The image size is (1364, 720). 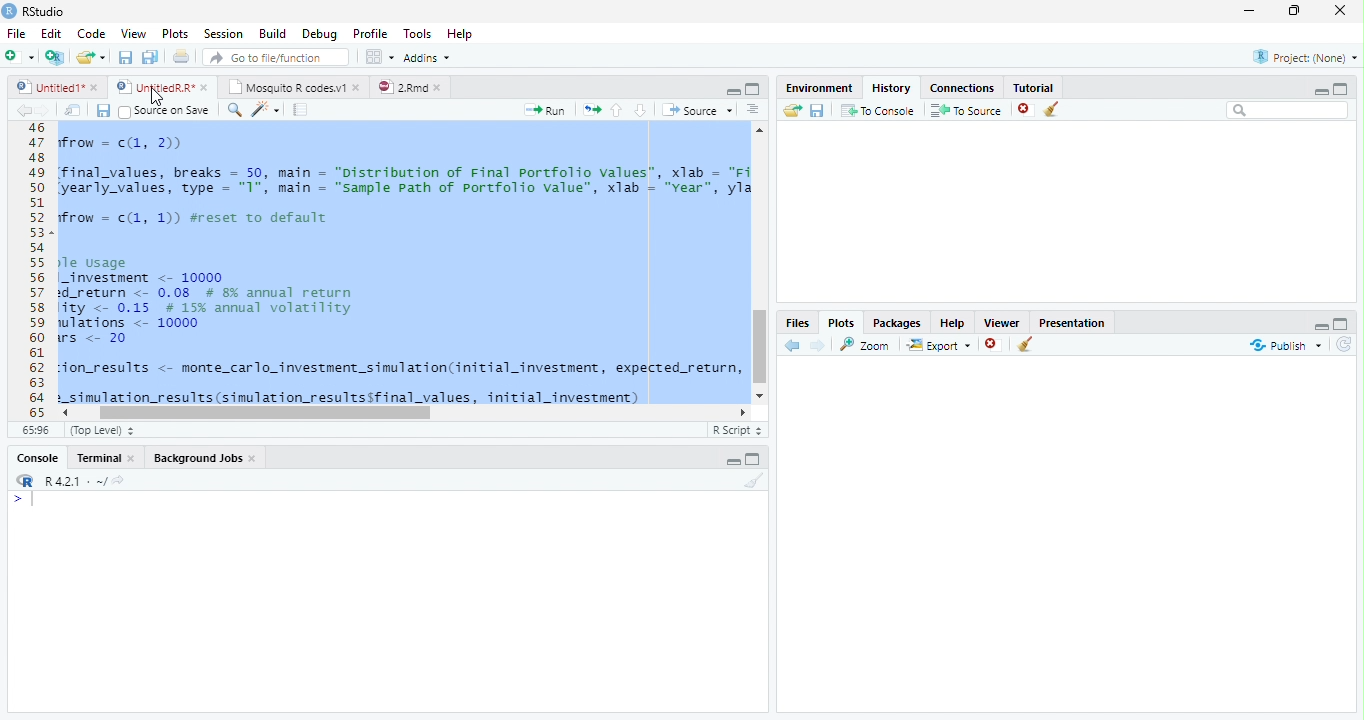 I want to click on Scroll down, so click(x=761, y=393).